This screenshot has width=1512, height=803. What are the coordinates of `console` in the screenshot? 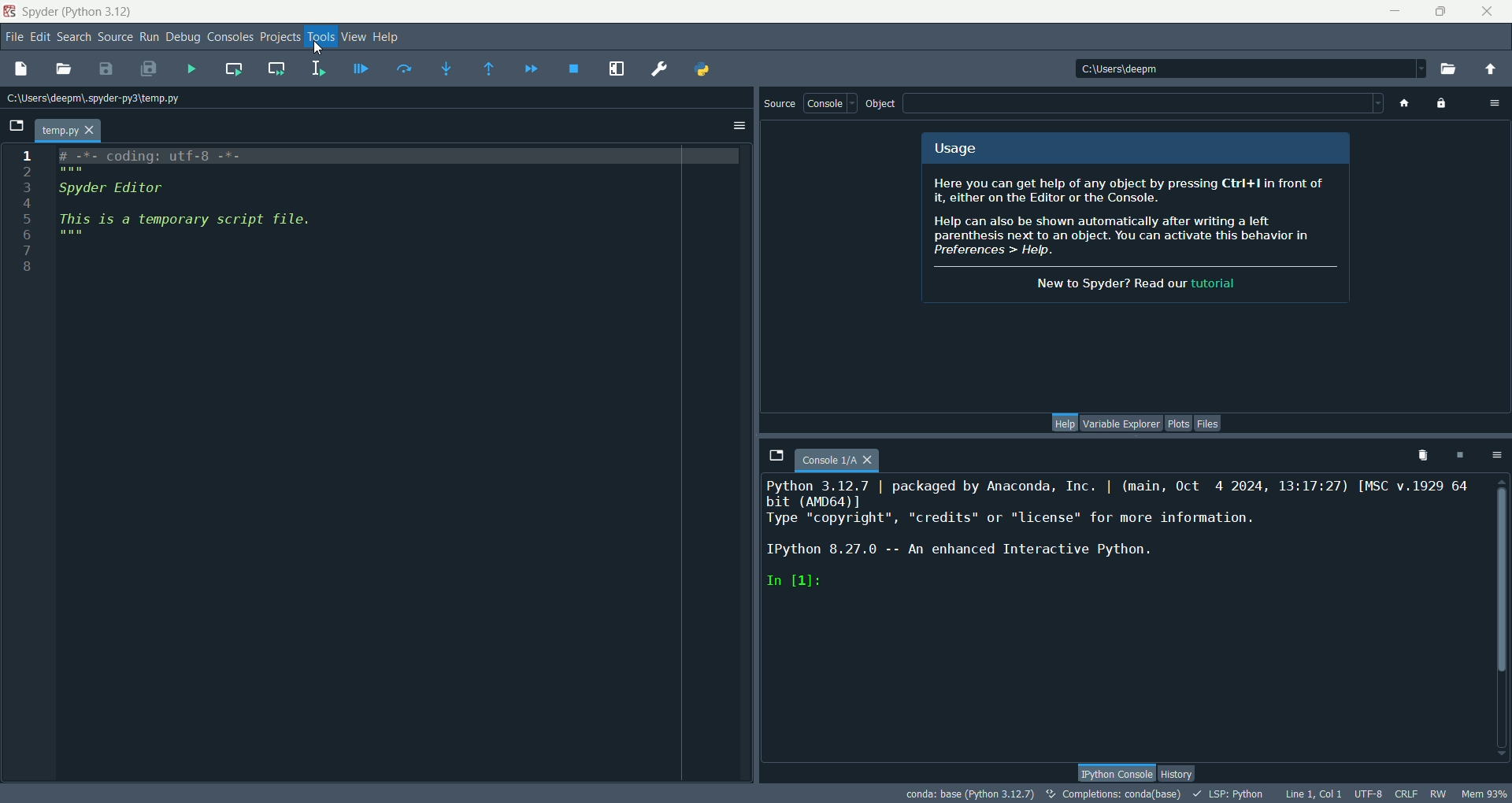 It's located at (830, 105).